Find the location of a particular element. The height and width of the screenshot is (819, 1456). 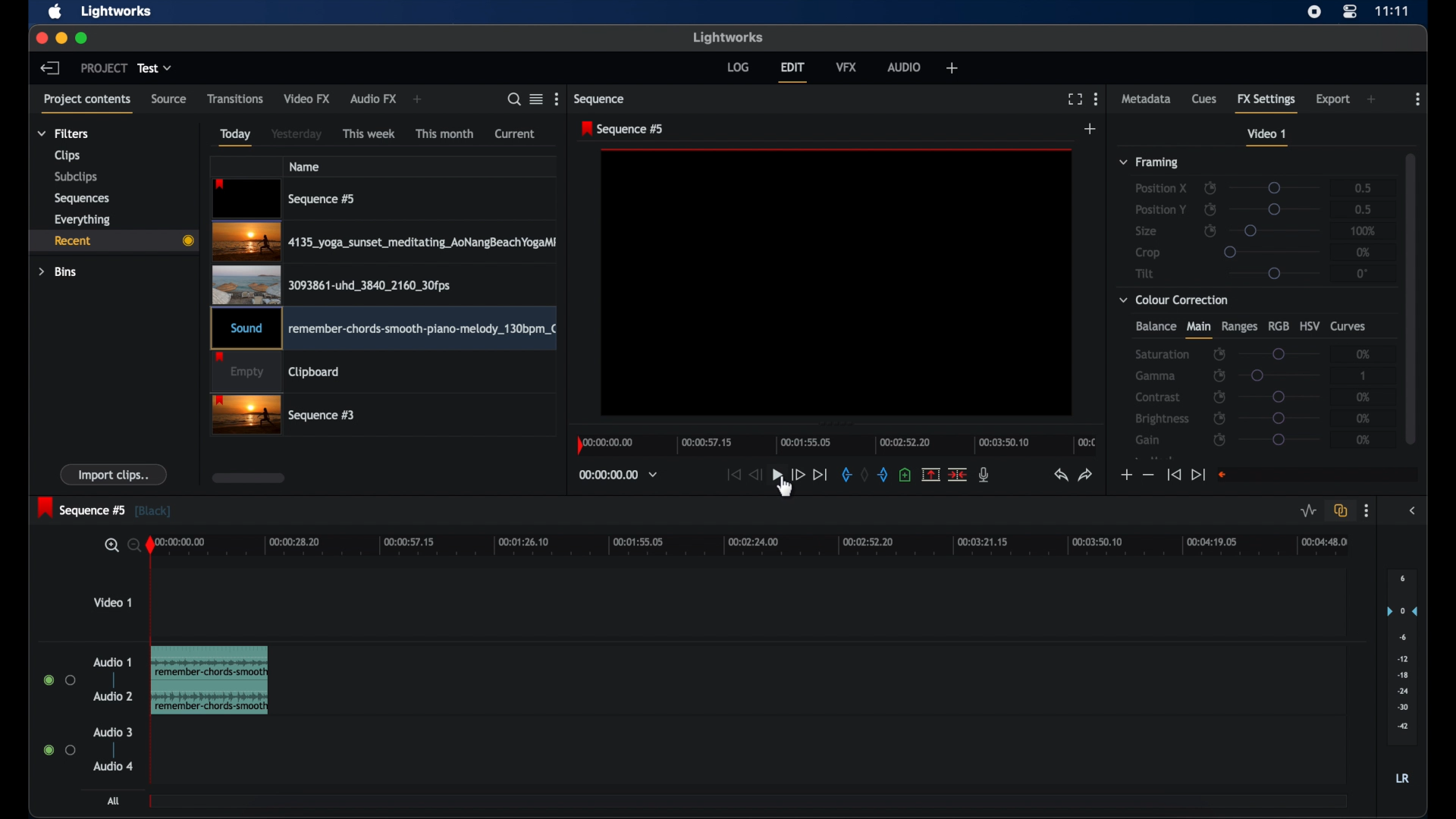

scroll bar is located at coordinates (1410, 297).